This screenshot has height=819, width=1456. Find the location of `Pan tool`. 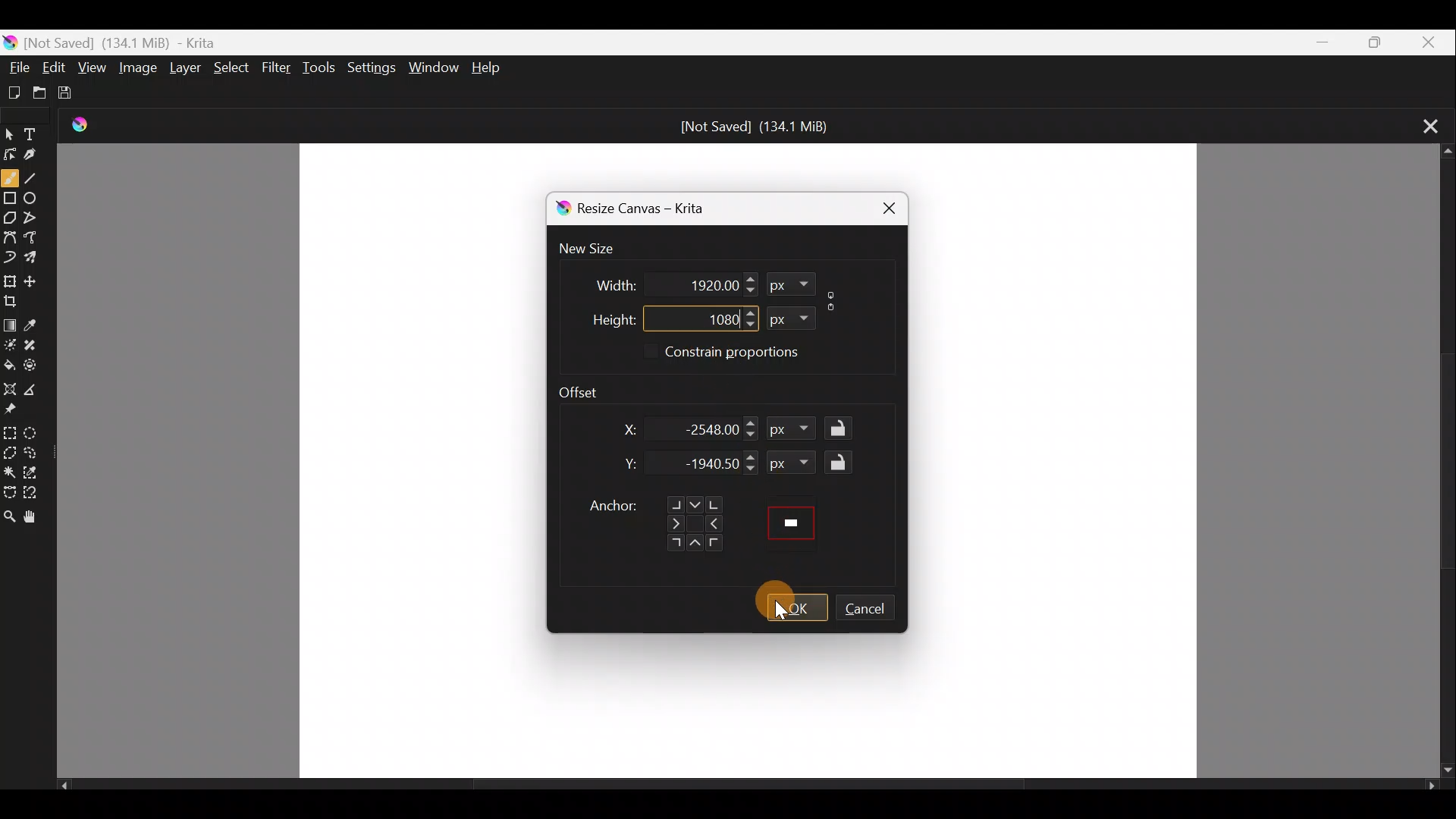

Pan tool is located at coordinates (33, 518).